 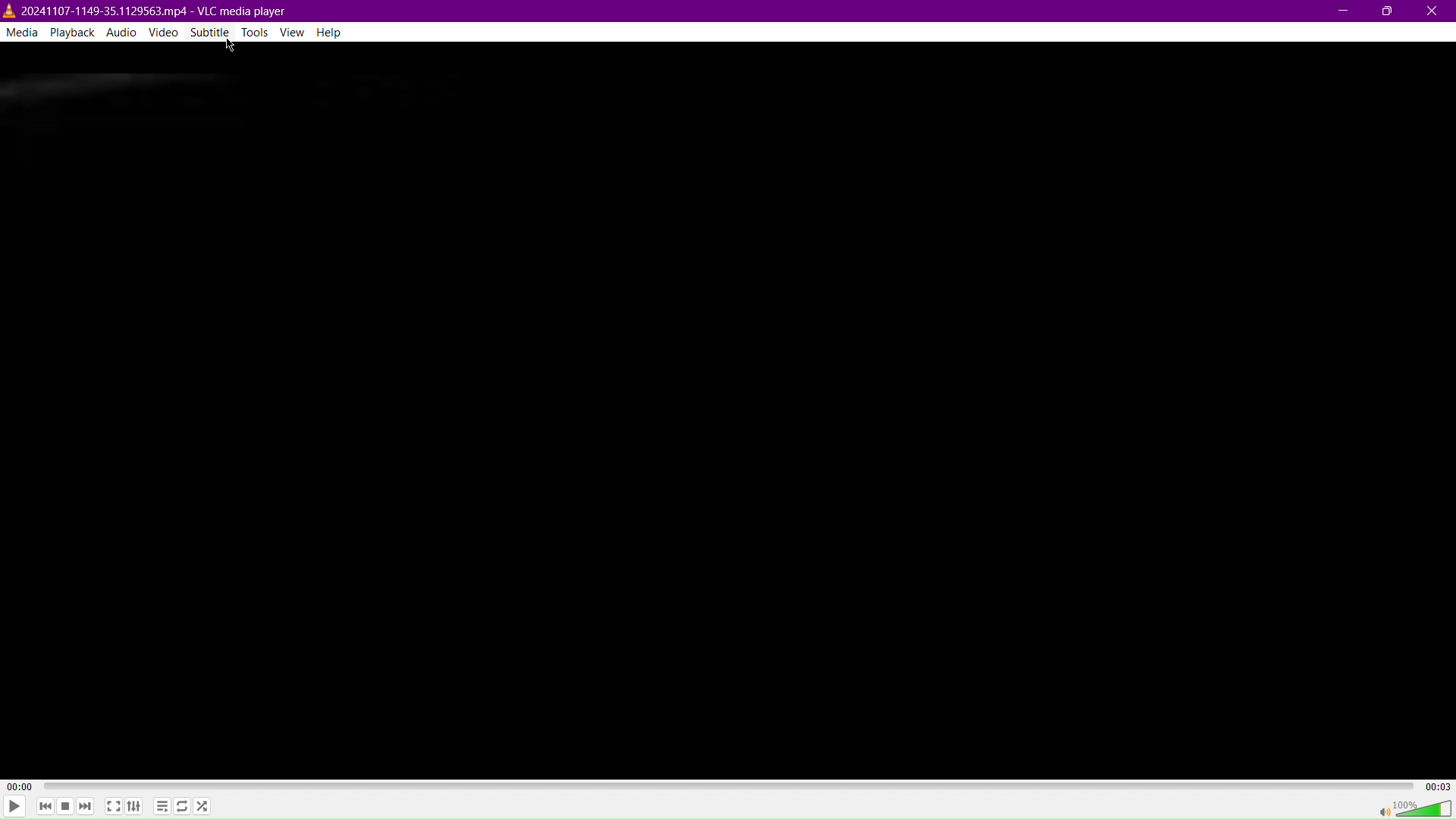 What do you see at coordinates (14, 806) in the screenshot?
I see `Play` at bounding box center [14, 806].